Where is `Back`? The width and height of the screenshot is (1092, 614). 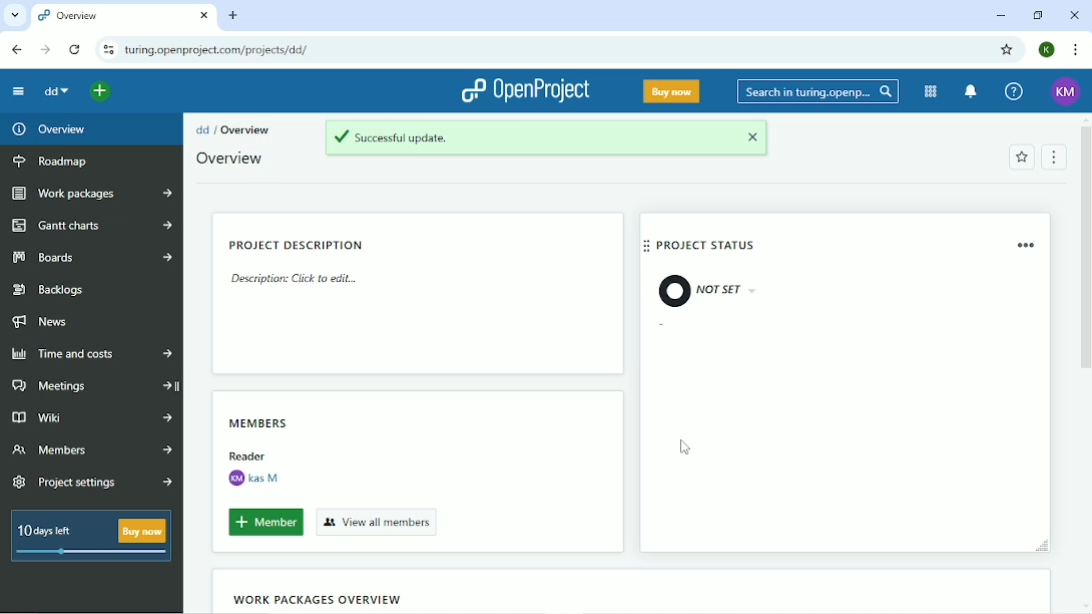
Back is located at coordinates (16, 50).